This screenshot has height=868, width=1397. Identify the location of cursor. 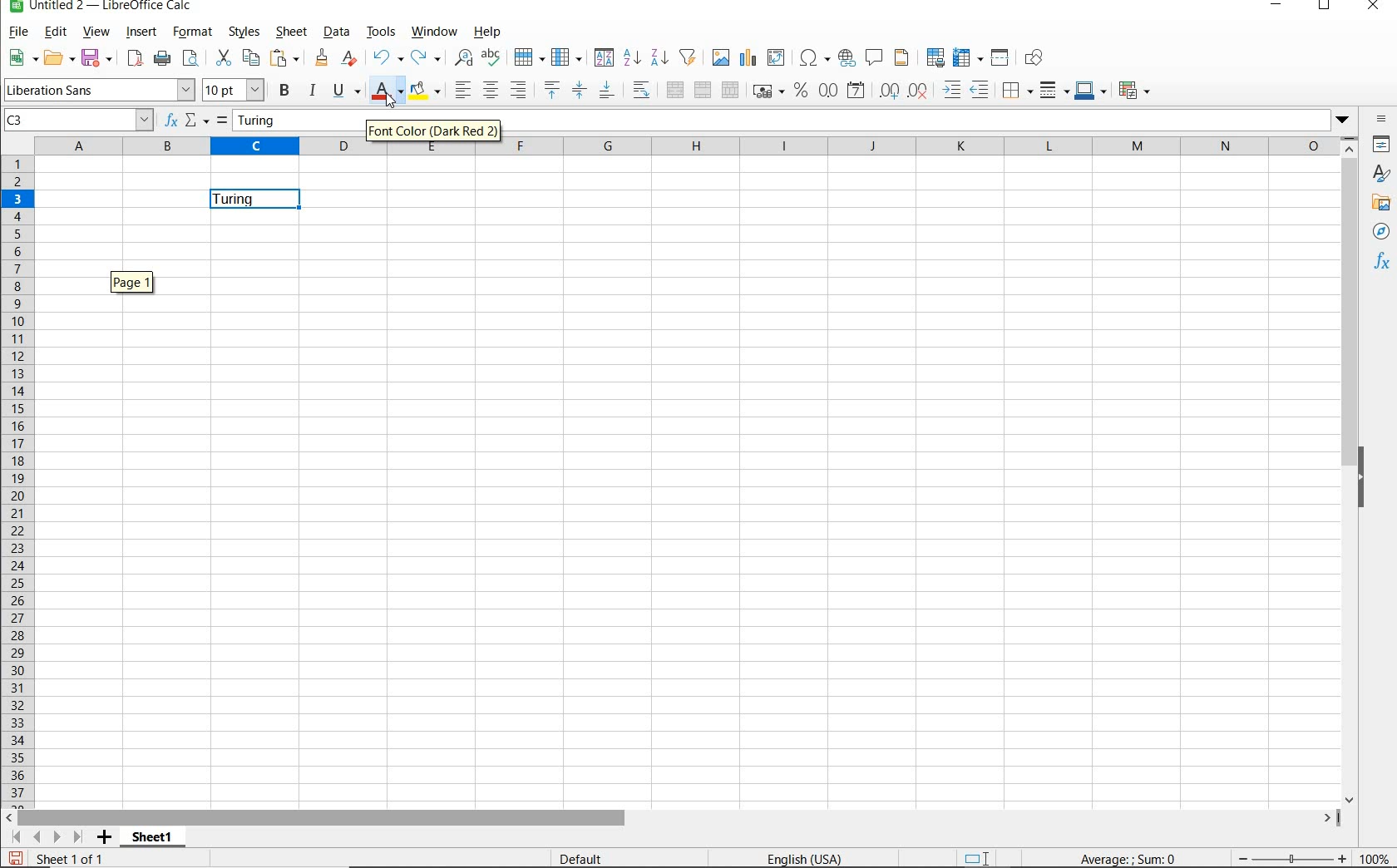
(398, 106).